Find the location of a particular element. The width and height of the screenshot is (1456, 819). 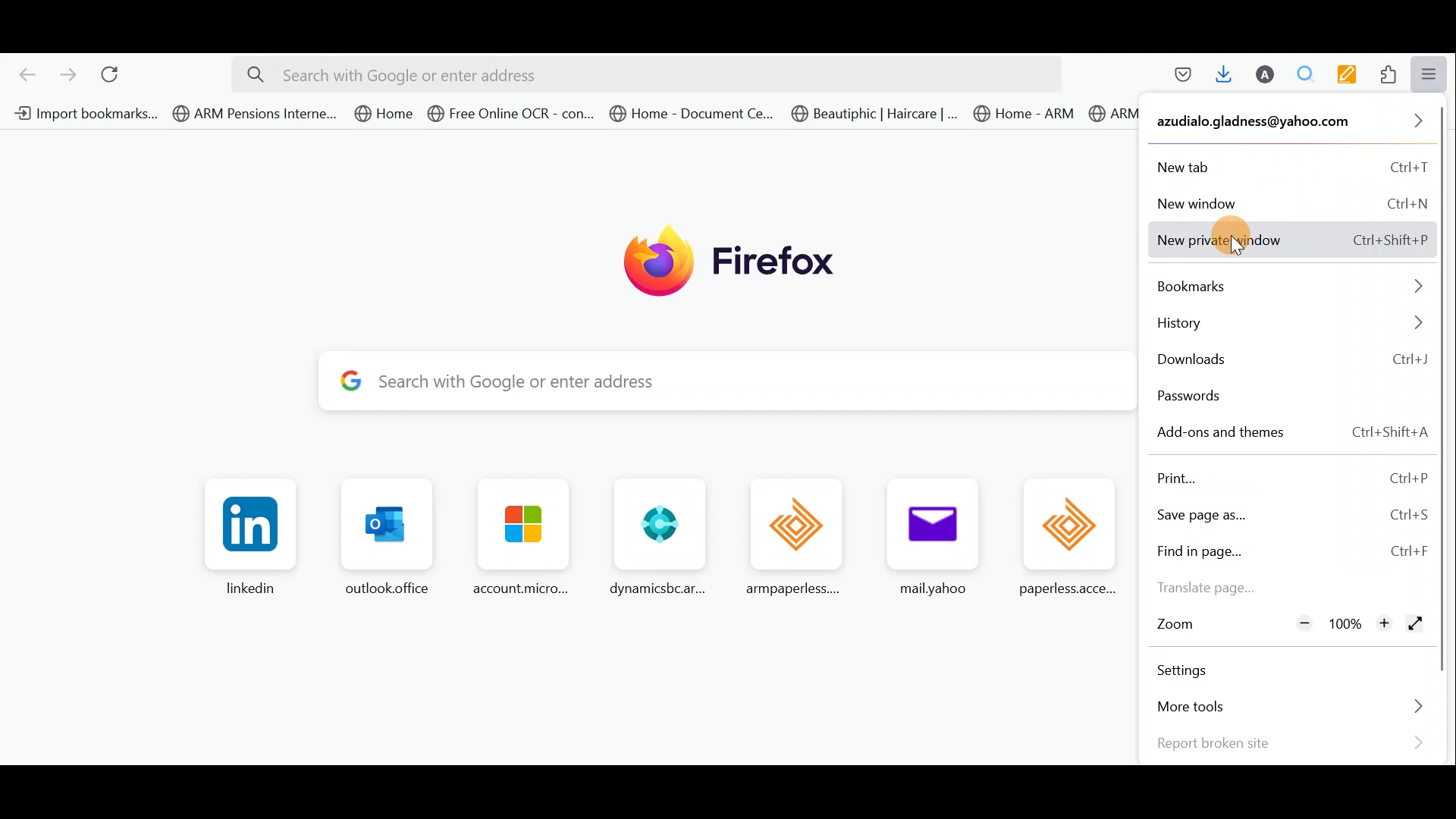

3 Search with Google or enter address is located at coordinates (746, 384).